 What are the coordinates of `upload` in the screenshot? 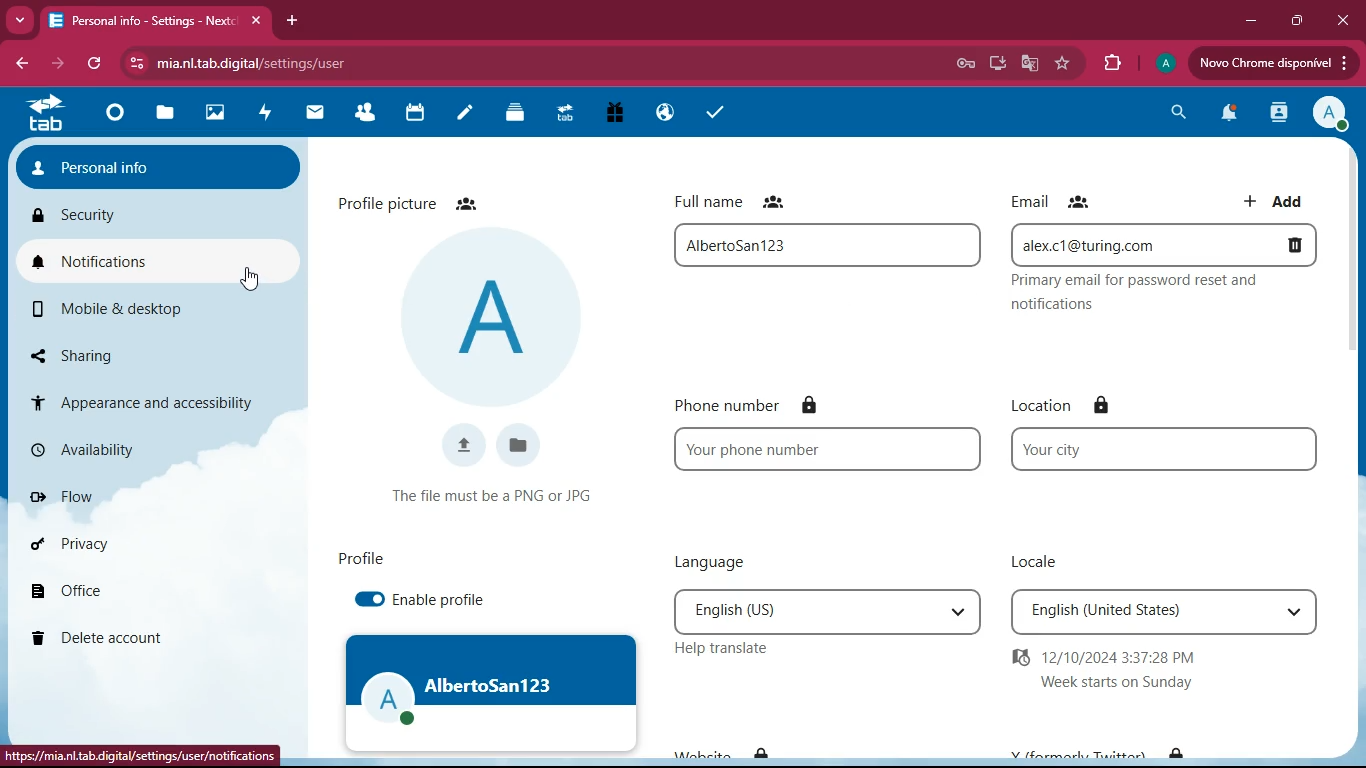 It's located at (1274, 65).